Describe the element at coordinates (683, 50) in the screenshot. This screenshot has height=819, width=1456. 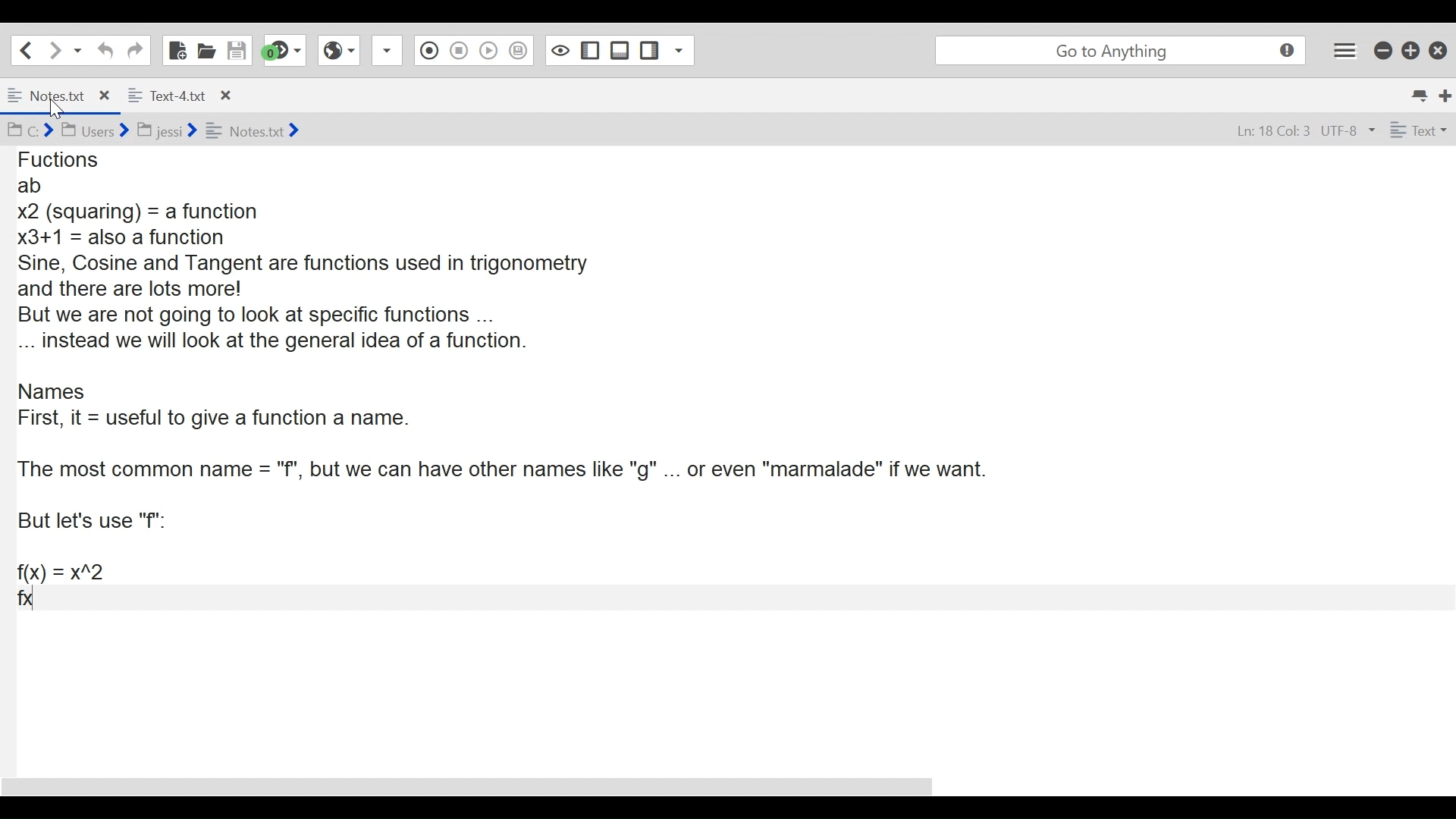
I see `Show Specific Sidebar` at that location.